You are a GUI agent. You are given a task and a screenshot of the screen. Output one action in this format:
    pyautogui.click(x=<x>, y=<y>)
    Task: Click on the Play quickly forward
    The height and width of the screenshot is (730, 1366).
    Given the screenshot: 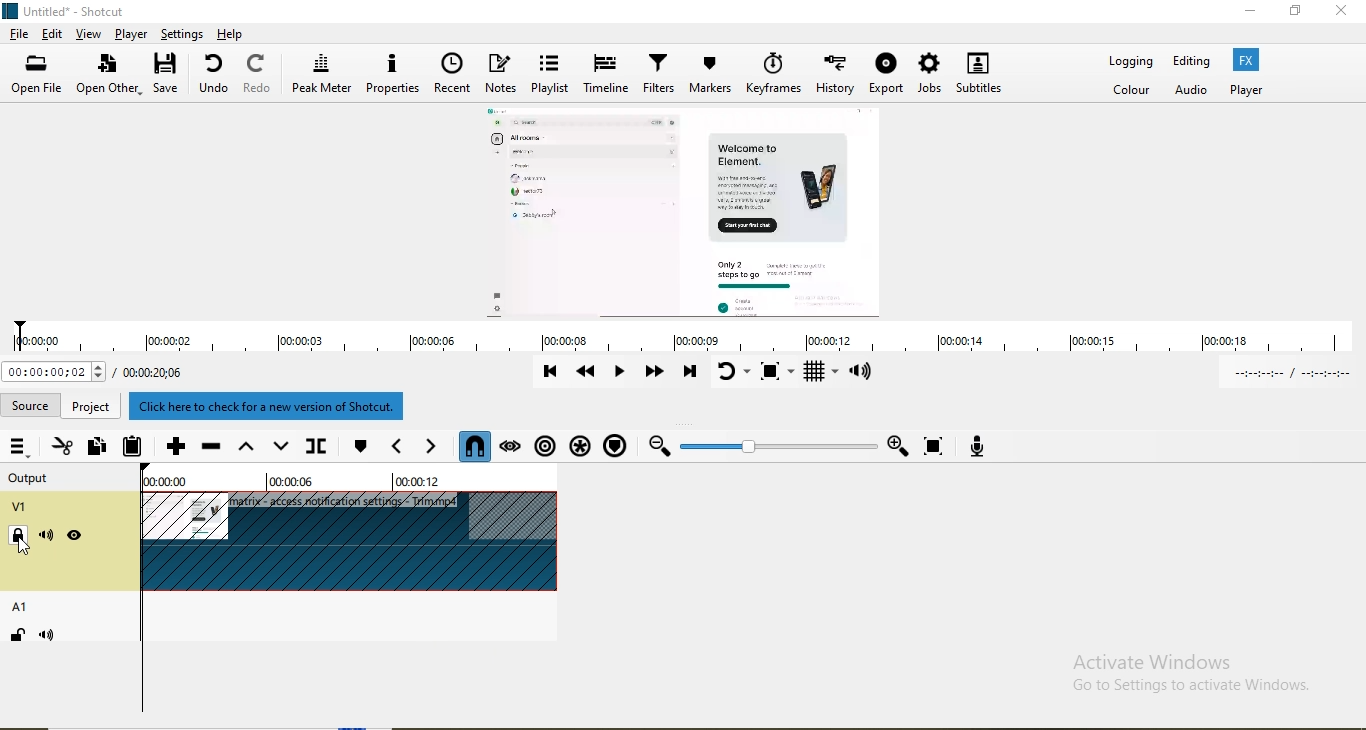 What is the action you would take?
    pyautogui.click(x=657, y=372)
    